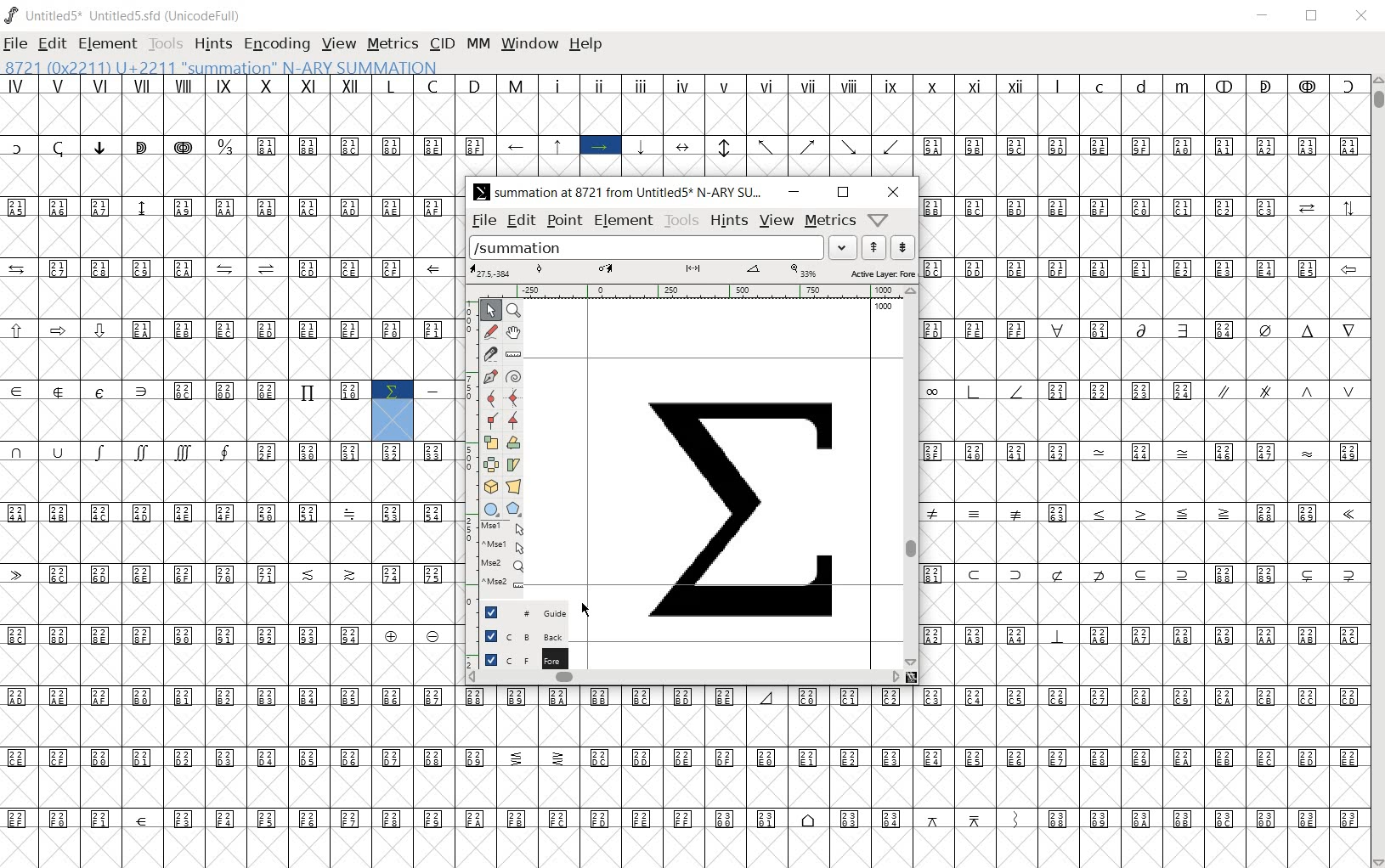 This screenshot has width=1385, height=868. Describe the element at coordinates (517, 633) in the screenshot. I see `background` at that location.